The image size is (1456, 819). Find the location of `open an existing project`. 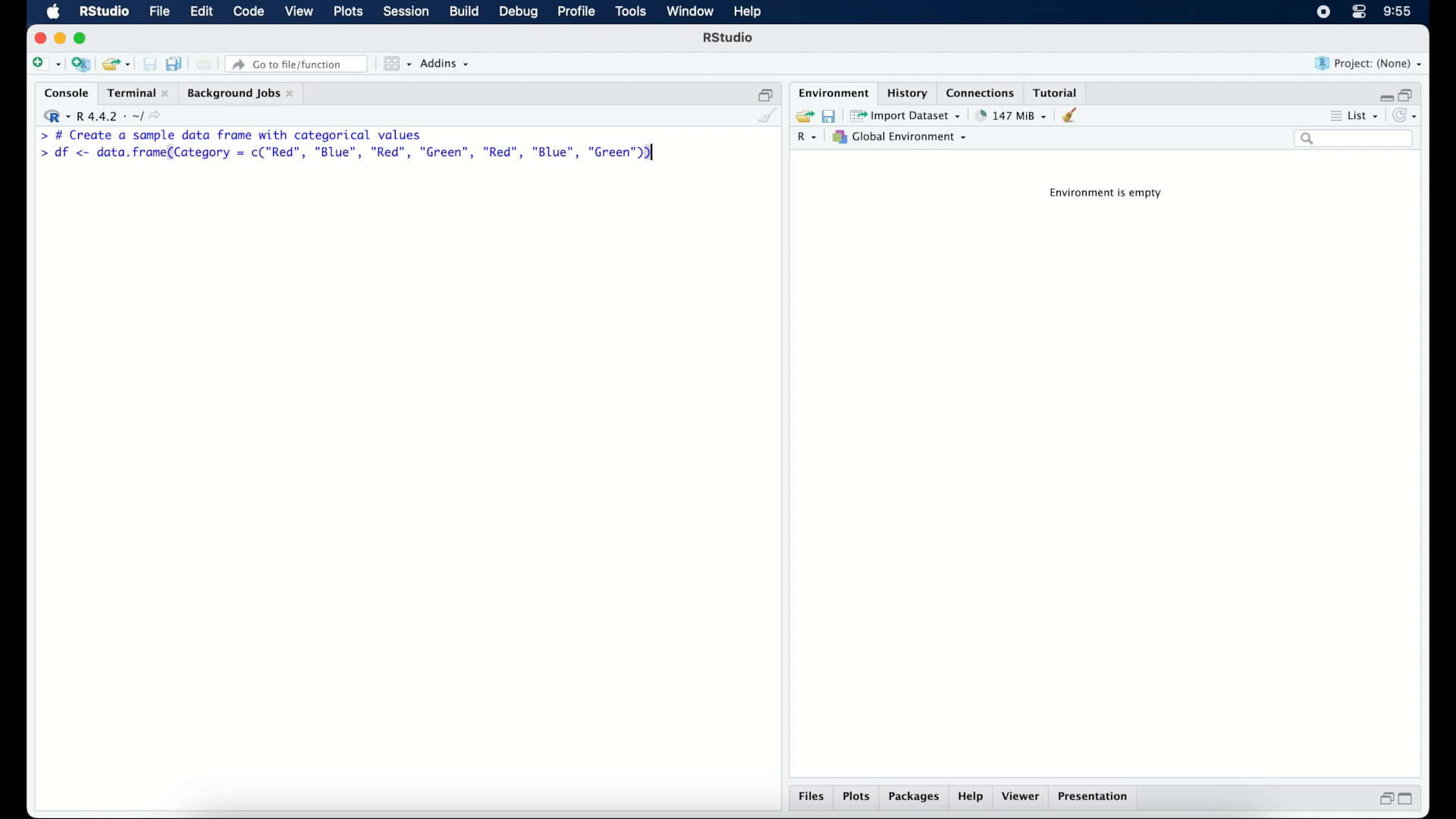

open an existing project is located at coordinates (117, 64).